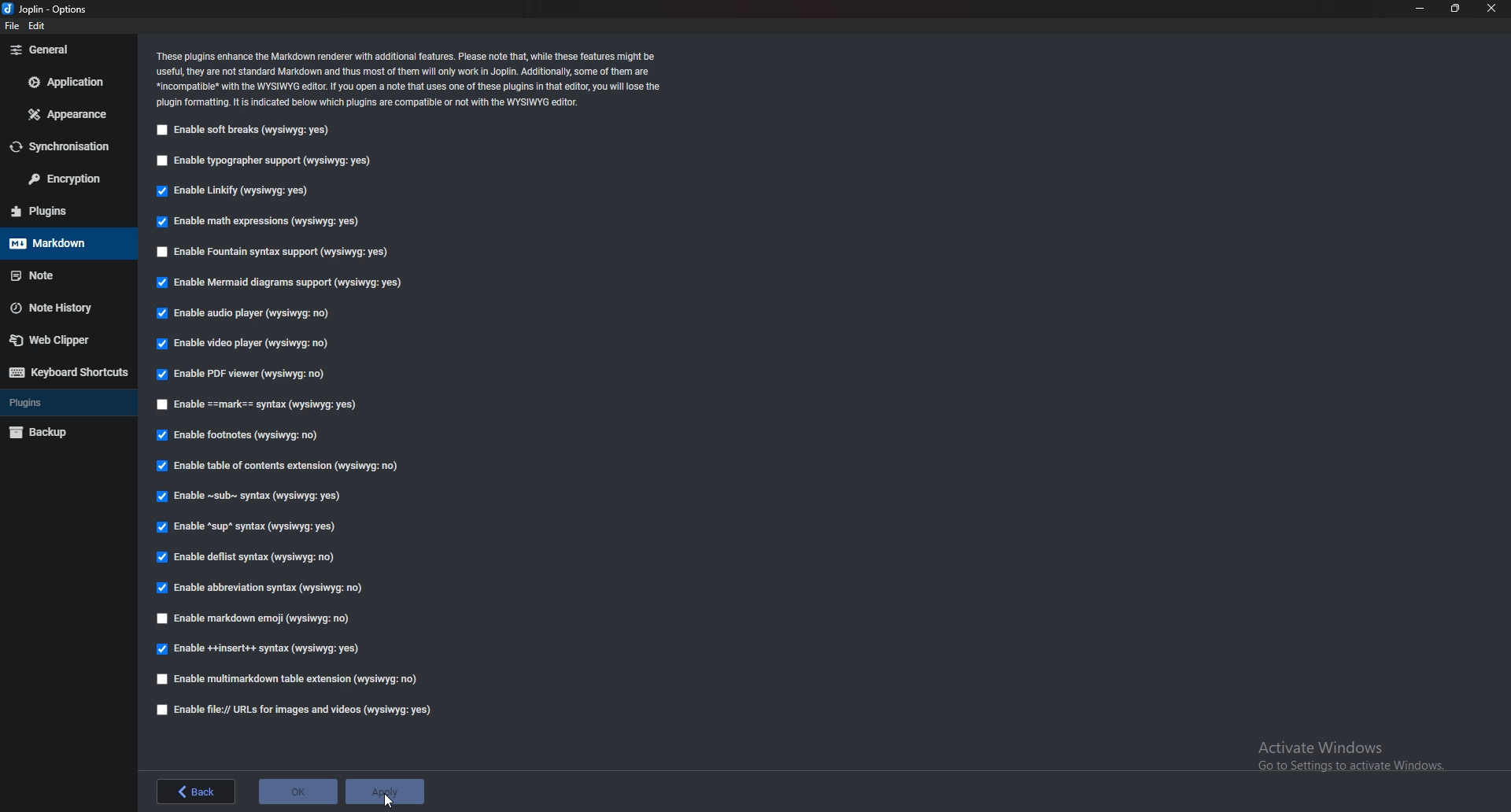 The image size is (1511, 812). I want to click on Enable mermaid diagrams, so click(286, 283).